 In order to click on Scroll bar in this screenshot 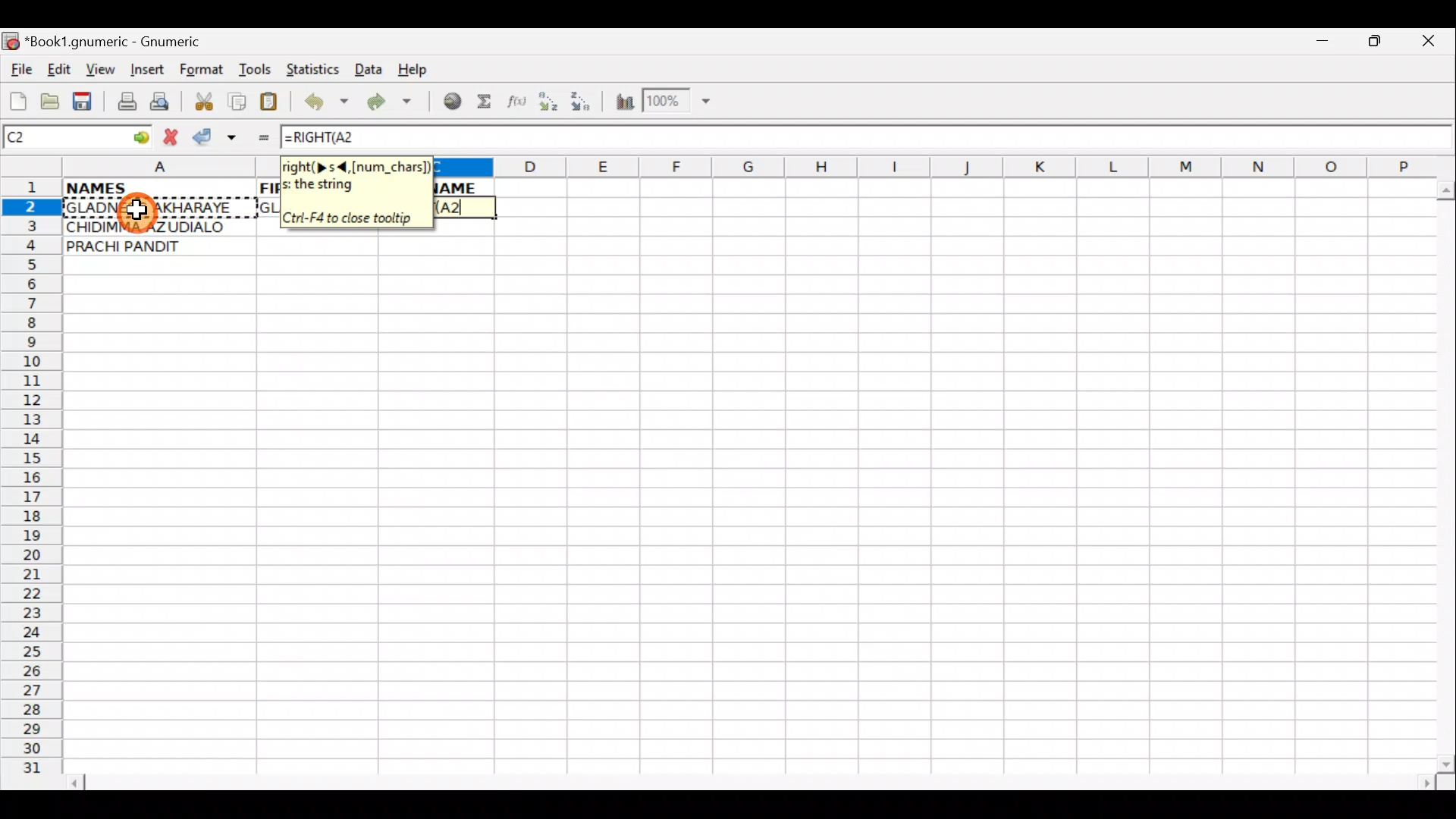, I will do `click(1442, 473)`.